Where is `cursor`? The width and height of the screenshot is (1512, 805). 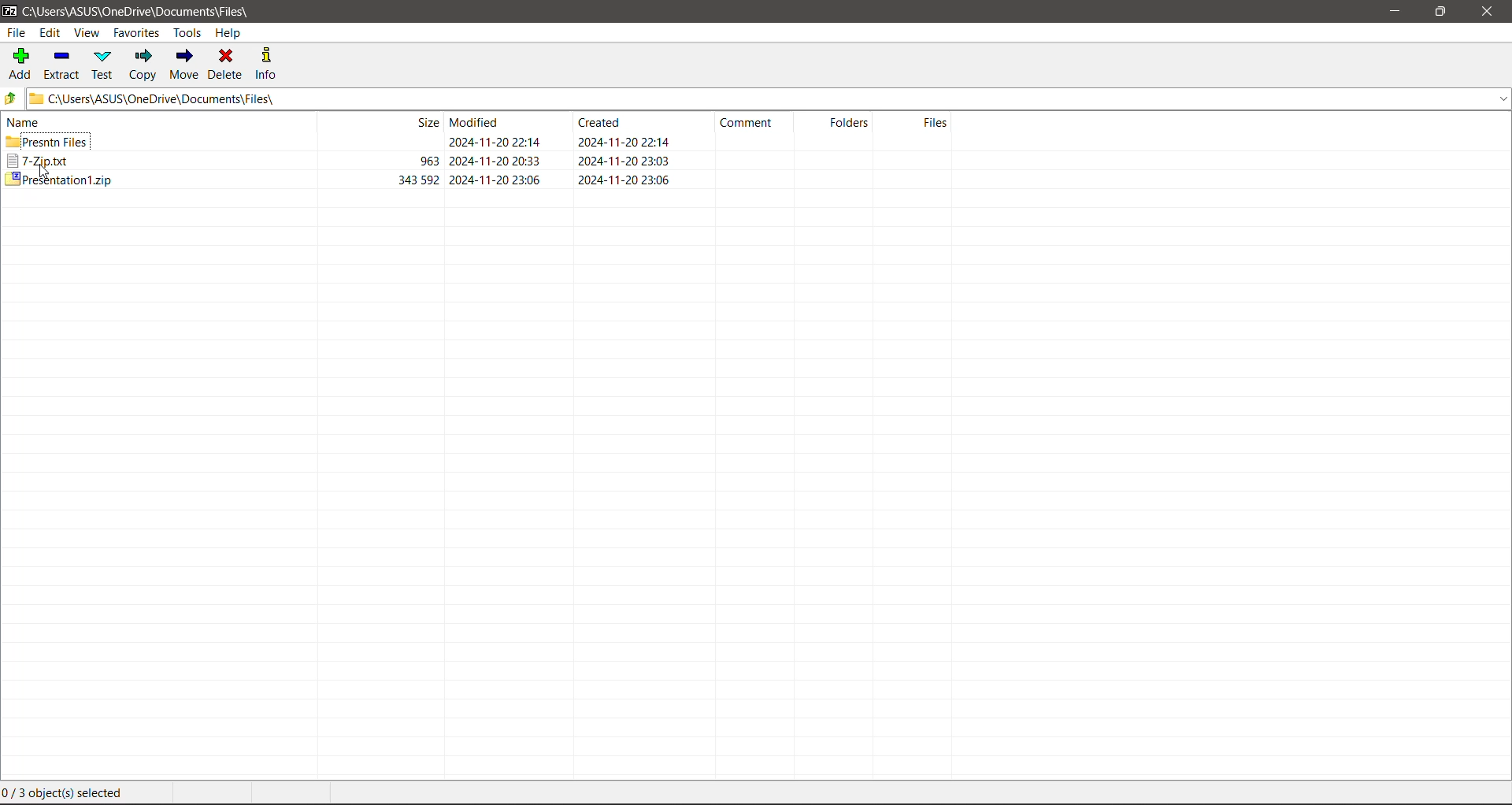
cursor is located at coordinates (42, 172).